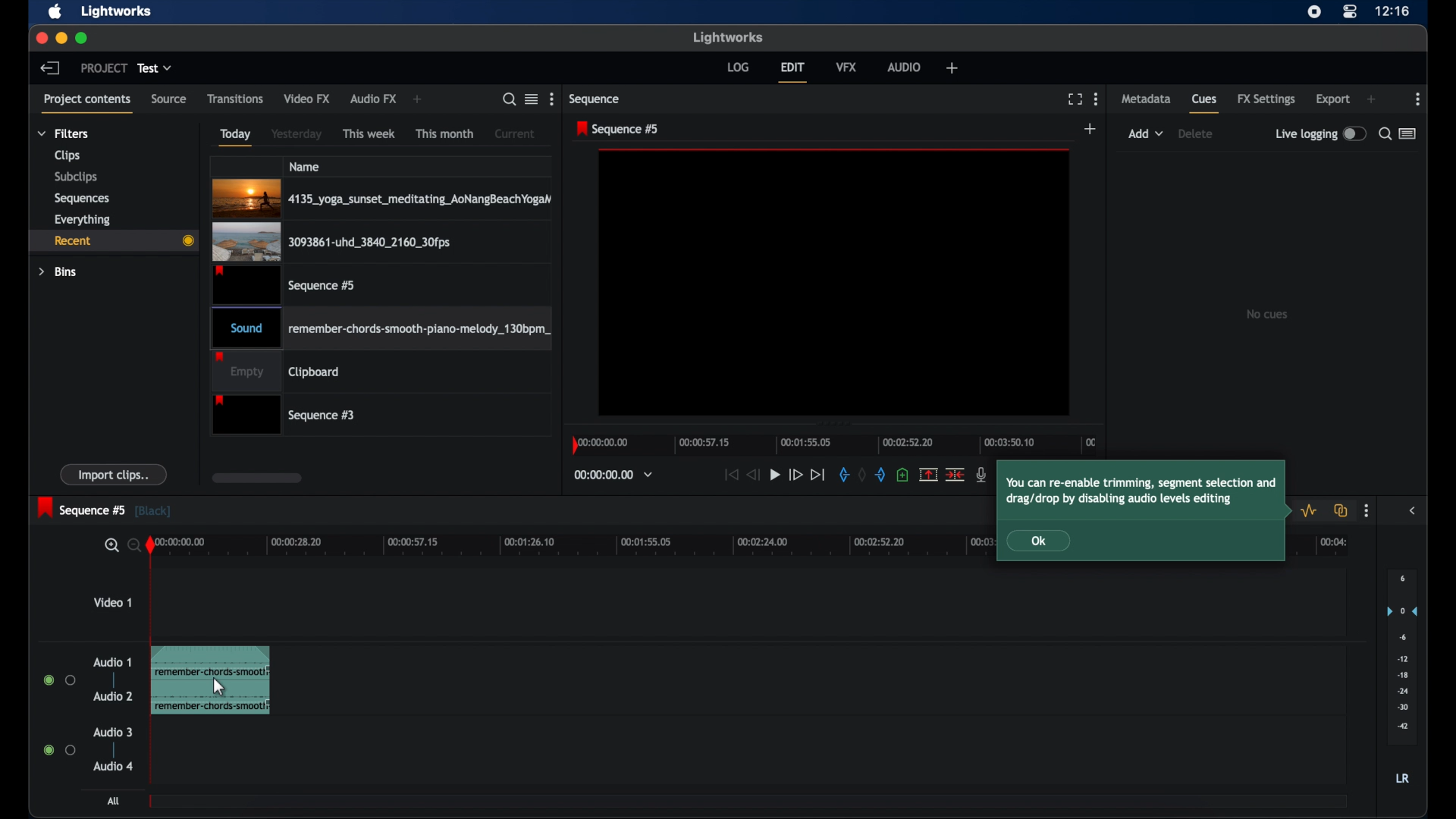  Describe the element at coordinates (952, 68) in the screenshot. I see `welfare` at that location.